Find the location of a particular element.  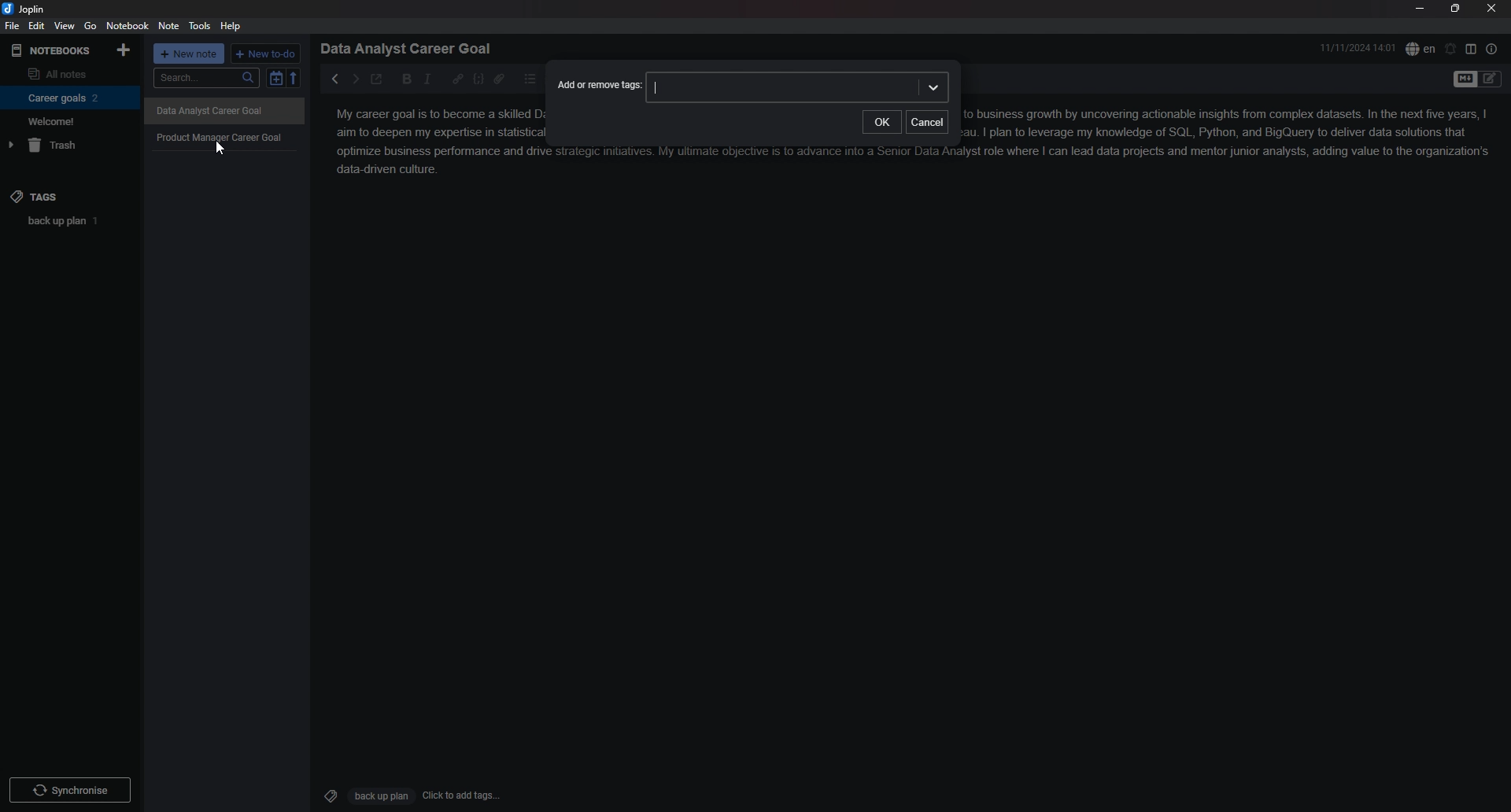

toggle editor layout is located at coordinates (1471, 48).